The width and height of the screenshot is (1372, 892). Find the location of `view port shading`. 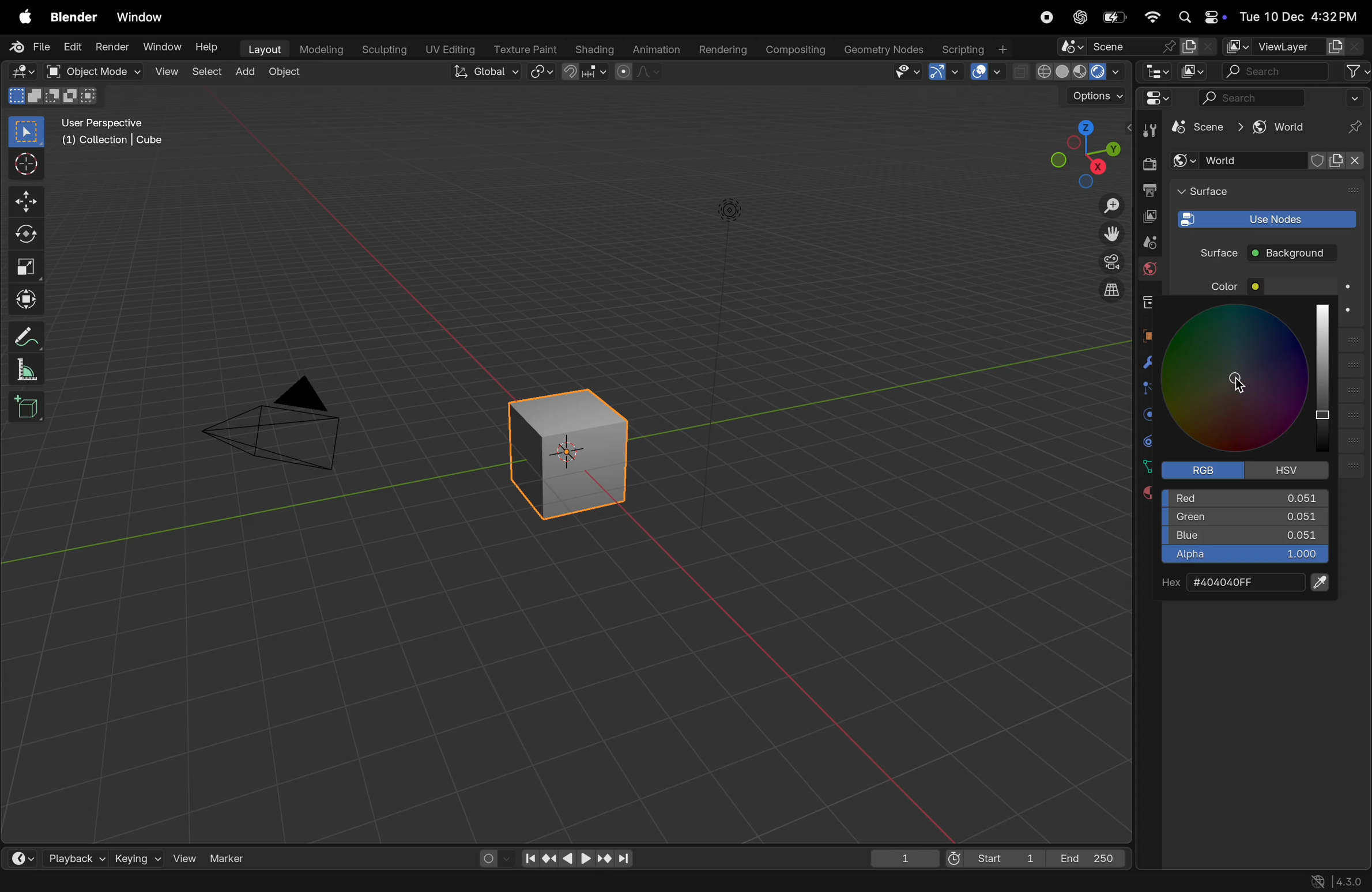

view port shading is located at coordinates (1069, 71).